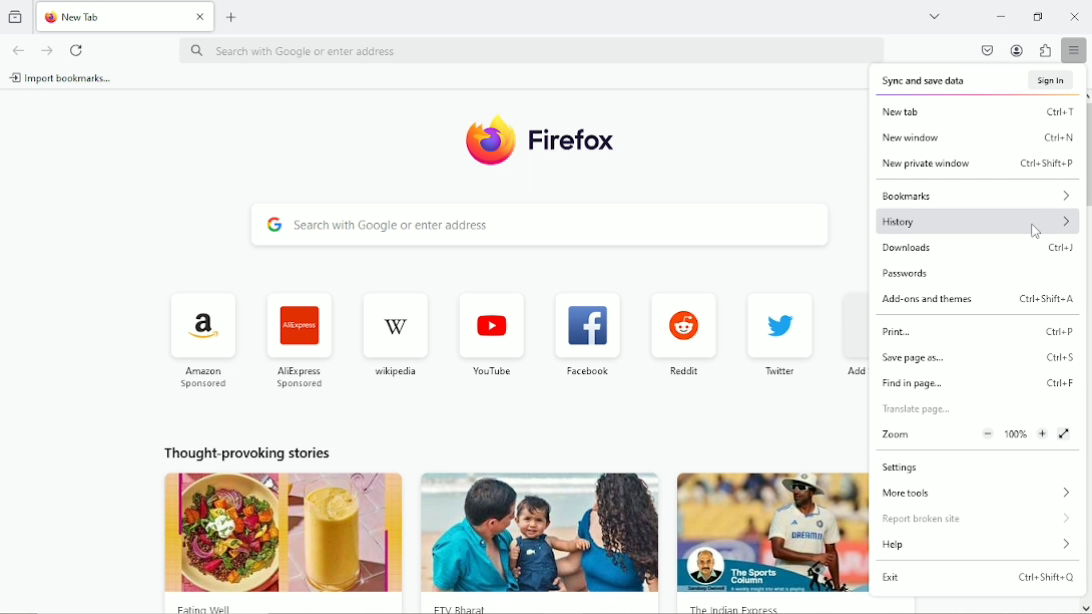 Image resolution: width=1092 pixels, height=614 pixels. Describe the element at coordinates (580, 327) in the screenshot. I see `icon` at that location.